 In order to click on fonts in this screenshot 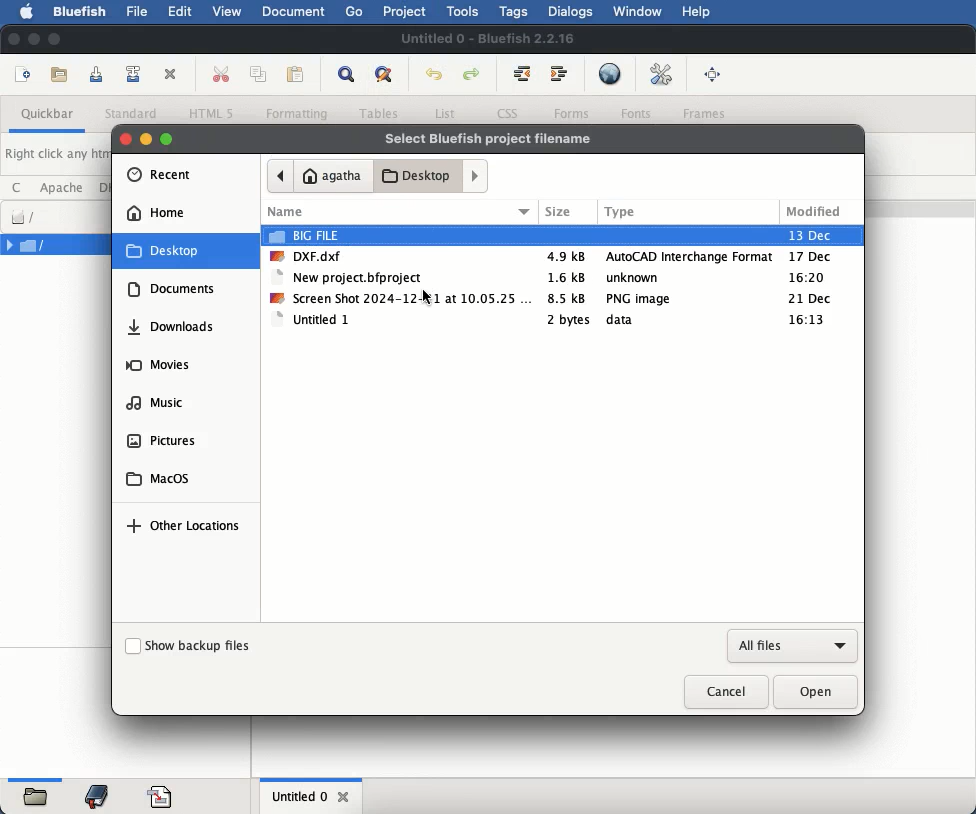, I will do `click(635, 112)`.